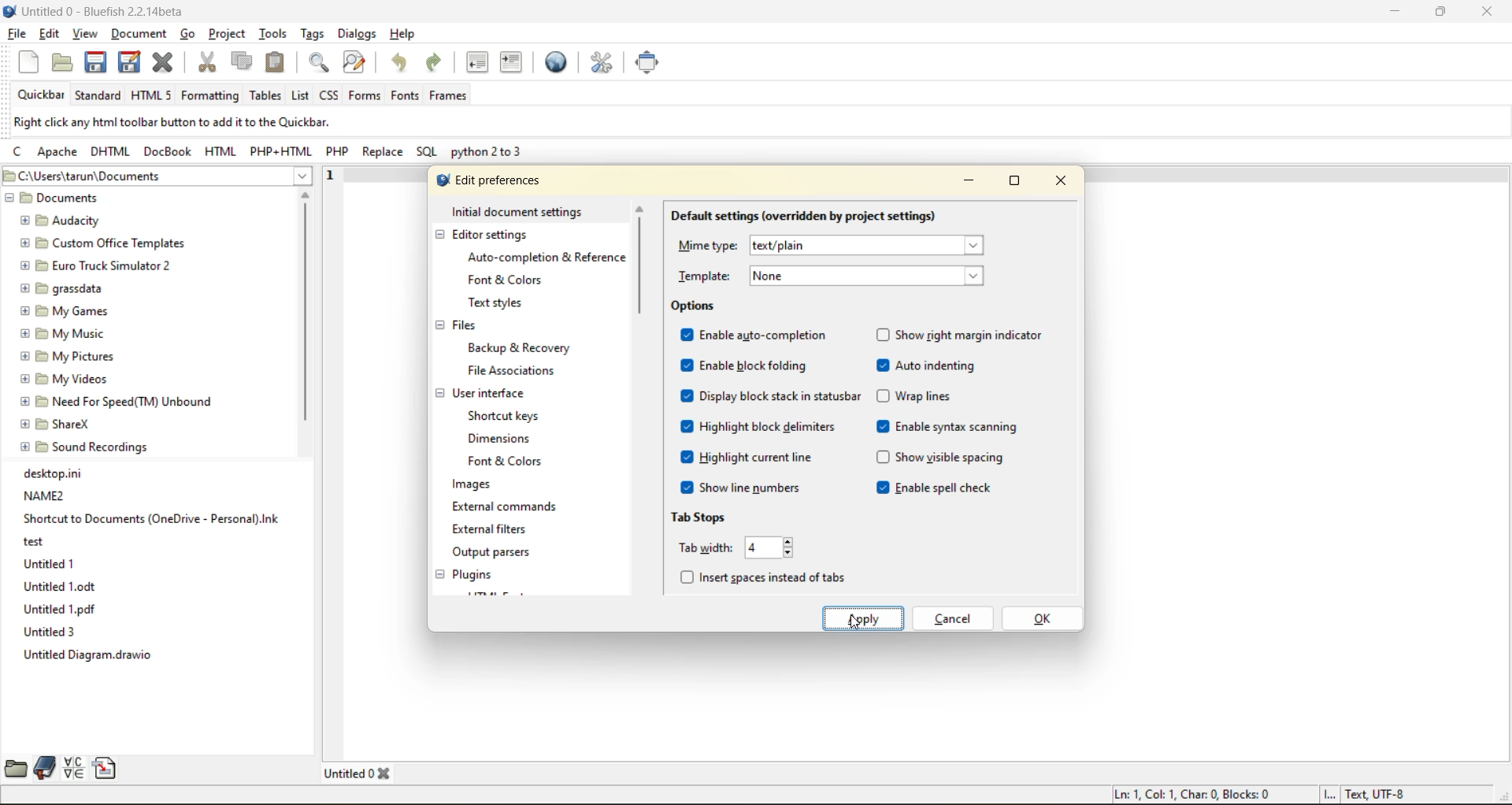 The width and height of the screenshot is (1512, 805). What do you see at coordinates (312, 34) in the screenshot?
I see `tags` at bounding box center [312, 34].